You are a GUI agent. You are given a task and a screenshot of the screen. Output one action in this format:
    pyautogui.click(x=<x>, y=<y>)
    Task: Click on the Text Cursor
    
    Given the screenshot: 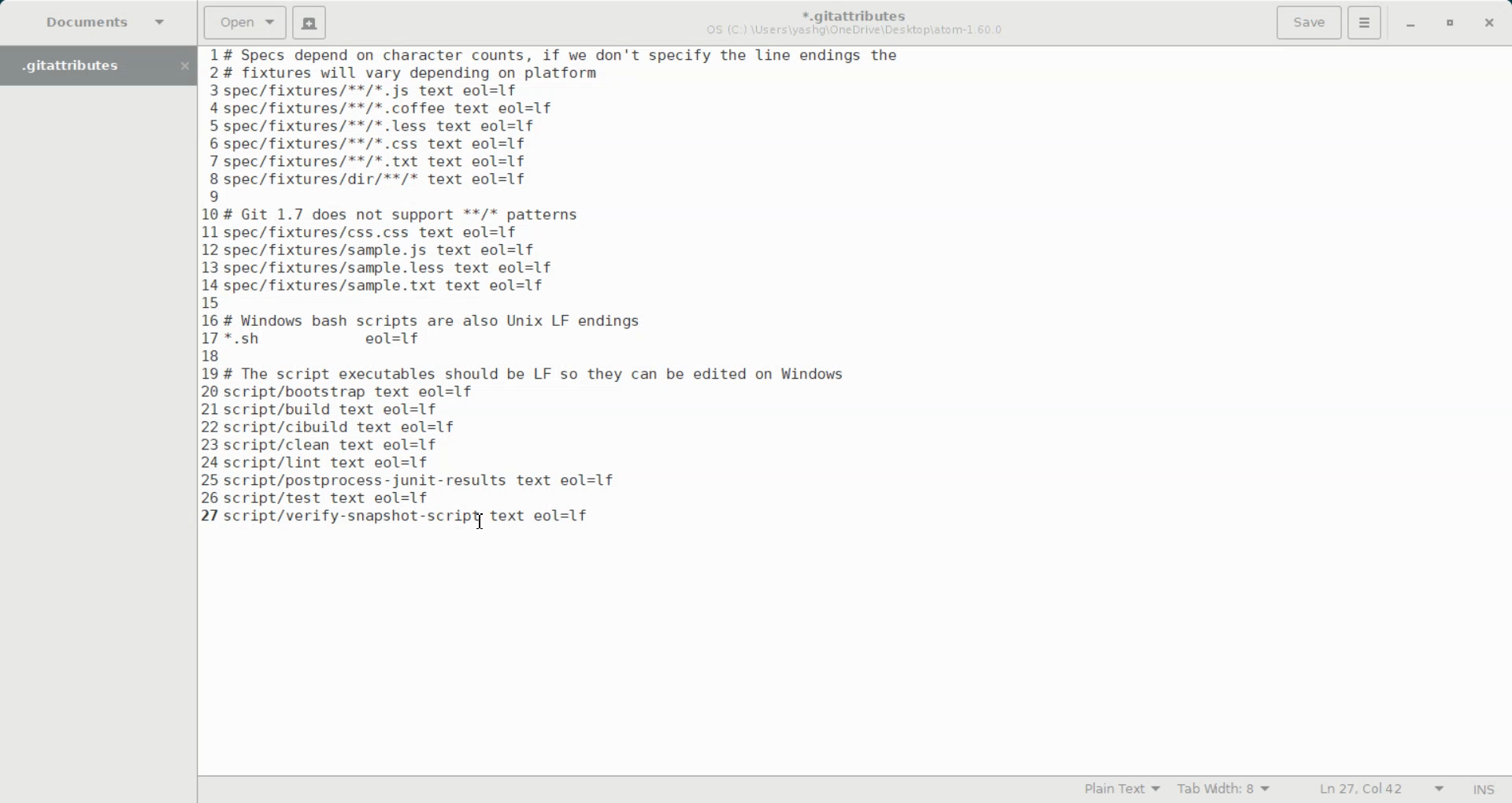 What is the action you would take?
    pyautogui.click(x=481, y=522)
    